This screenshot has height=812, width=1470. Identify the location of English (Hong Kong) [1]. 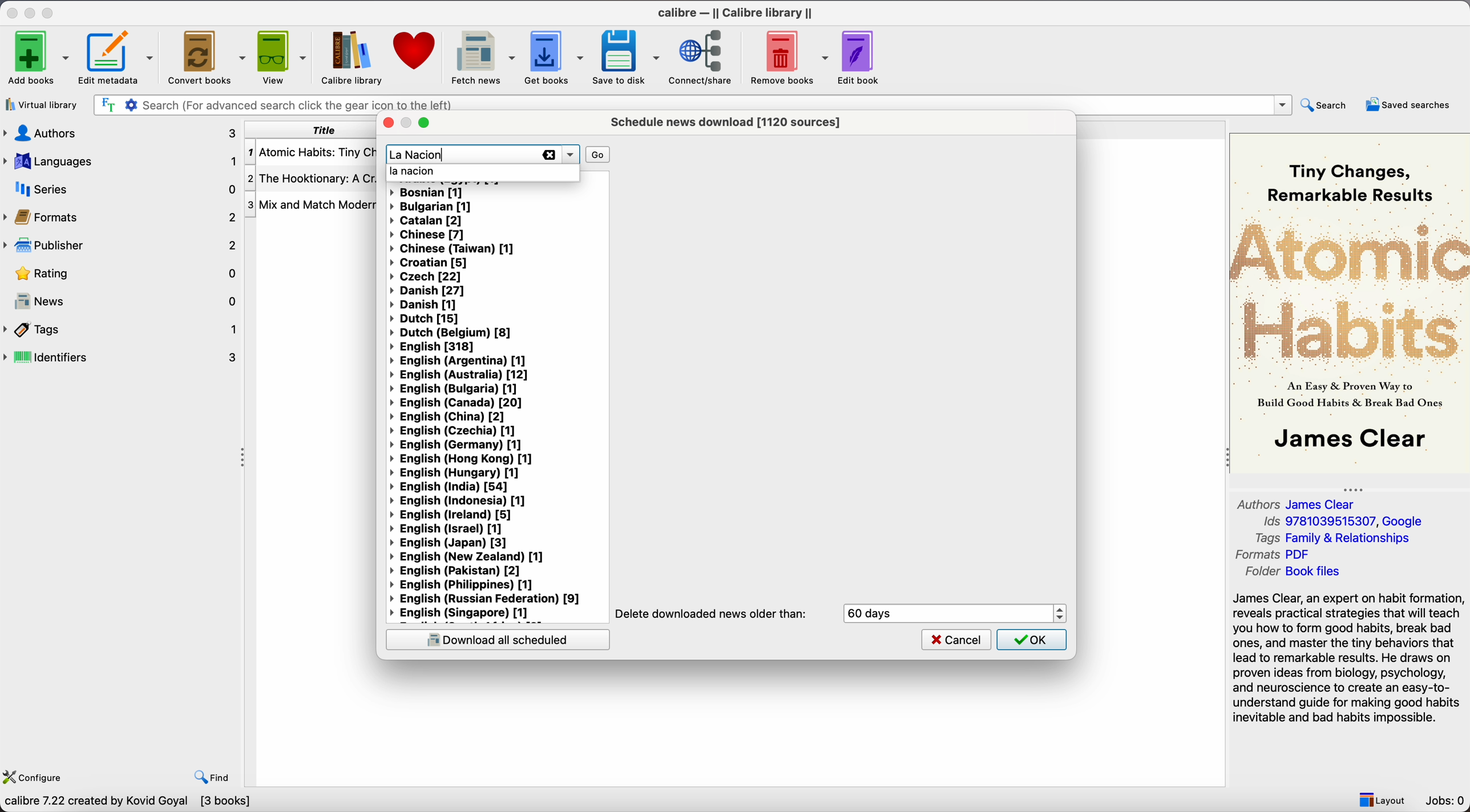
(462, 459).